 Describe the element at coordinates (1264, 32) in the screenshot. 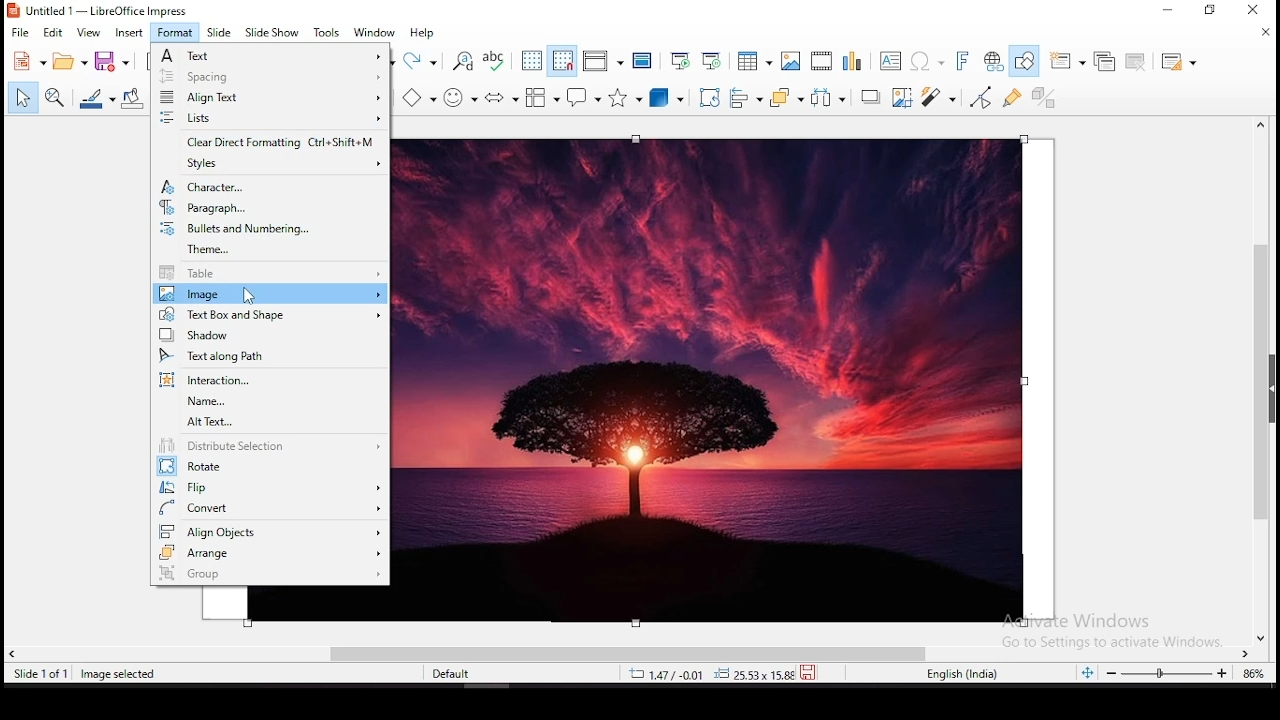

I see `close` at that location.